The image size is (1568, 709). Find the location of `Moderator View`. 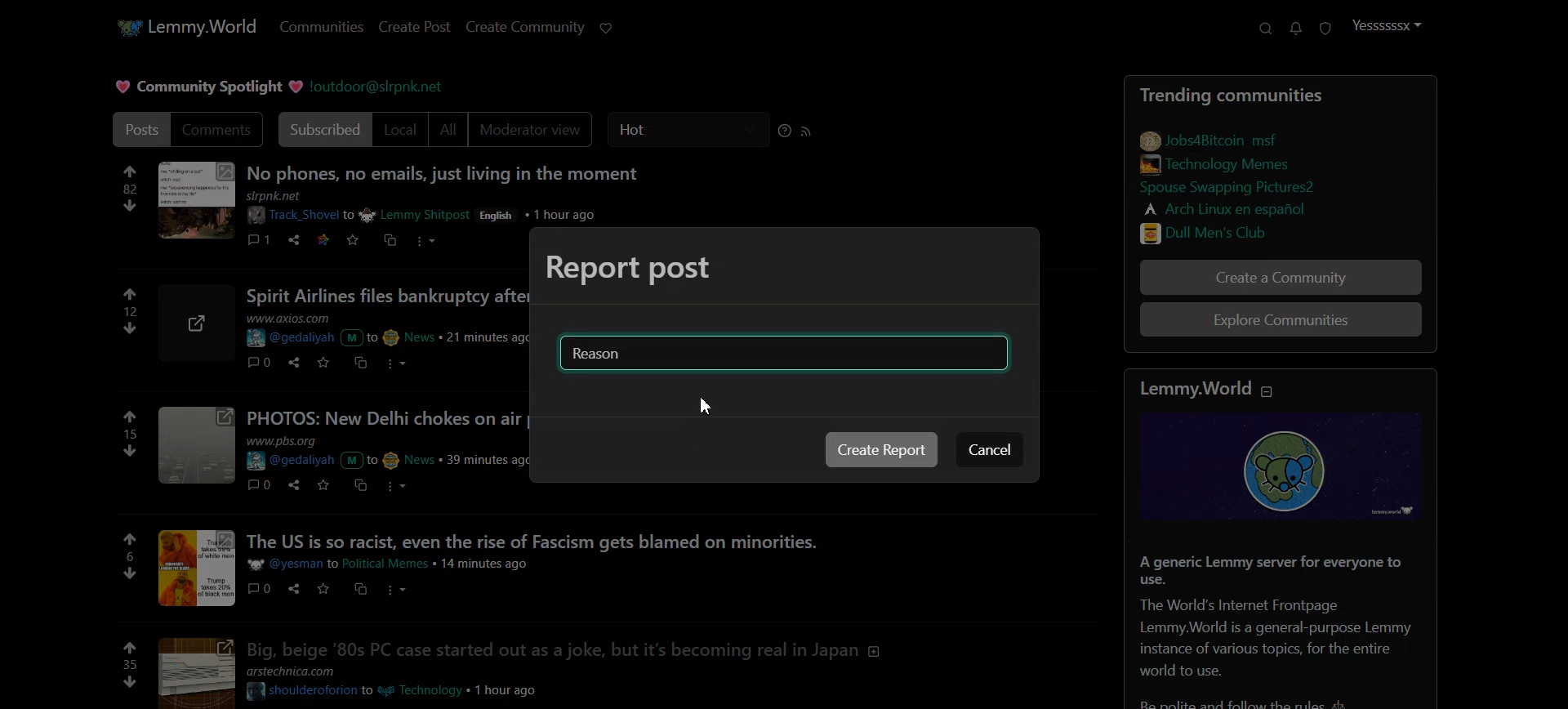

Moderator View is located at coordinates (534, 130).